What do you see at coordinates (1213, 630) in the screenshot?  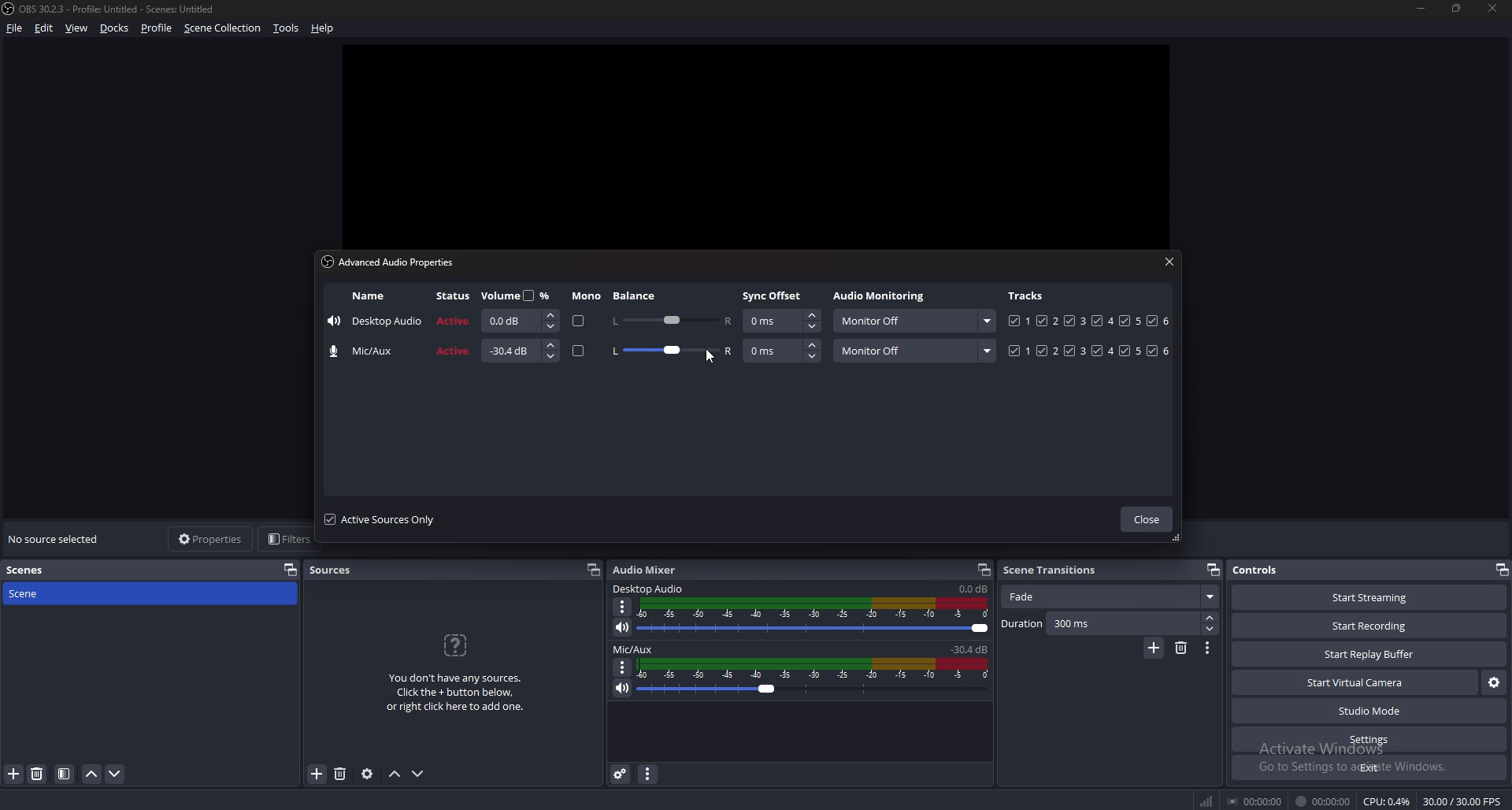 I see `decrease duration` at bounding box center [1213, 630].